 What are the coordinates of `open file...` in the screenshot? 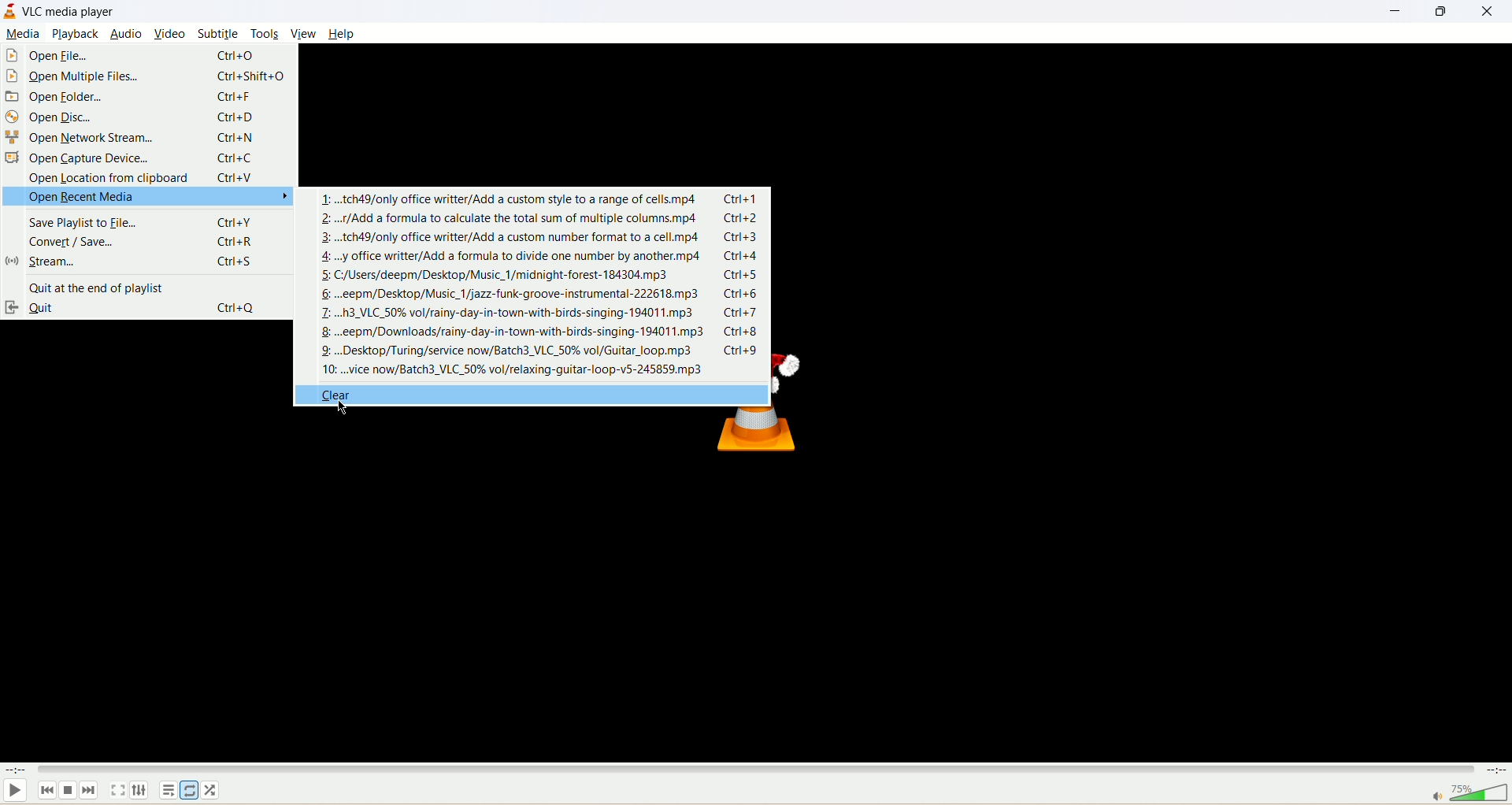 It's located at (49, 56).